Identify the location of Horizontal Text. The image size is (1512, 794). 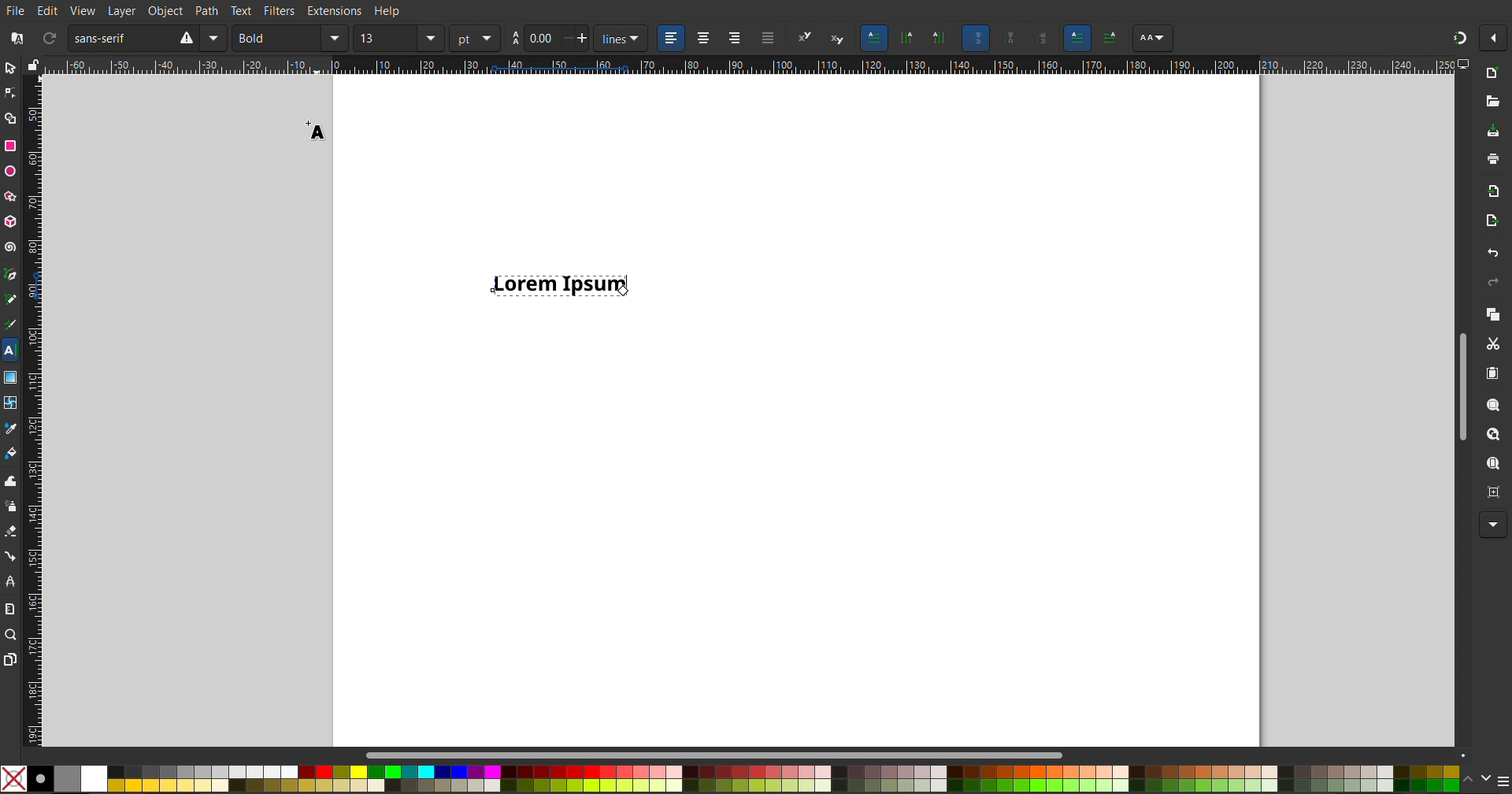
(874, 38).